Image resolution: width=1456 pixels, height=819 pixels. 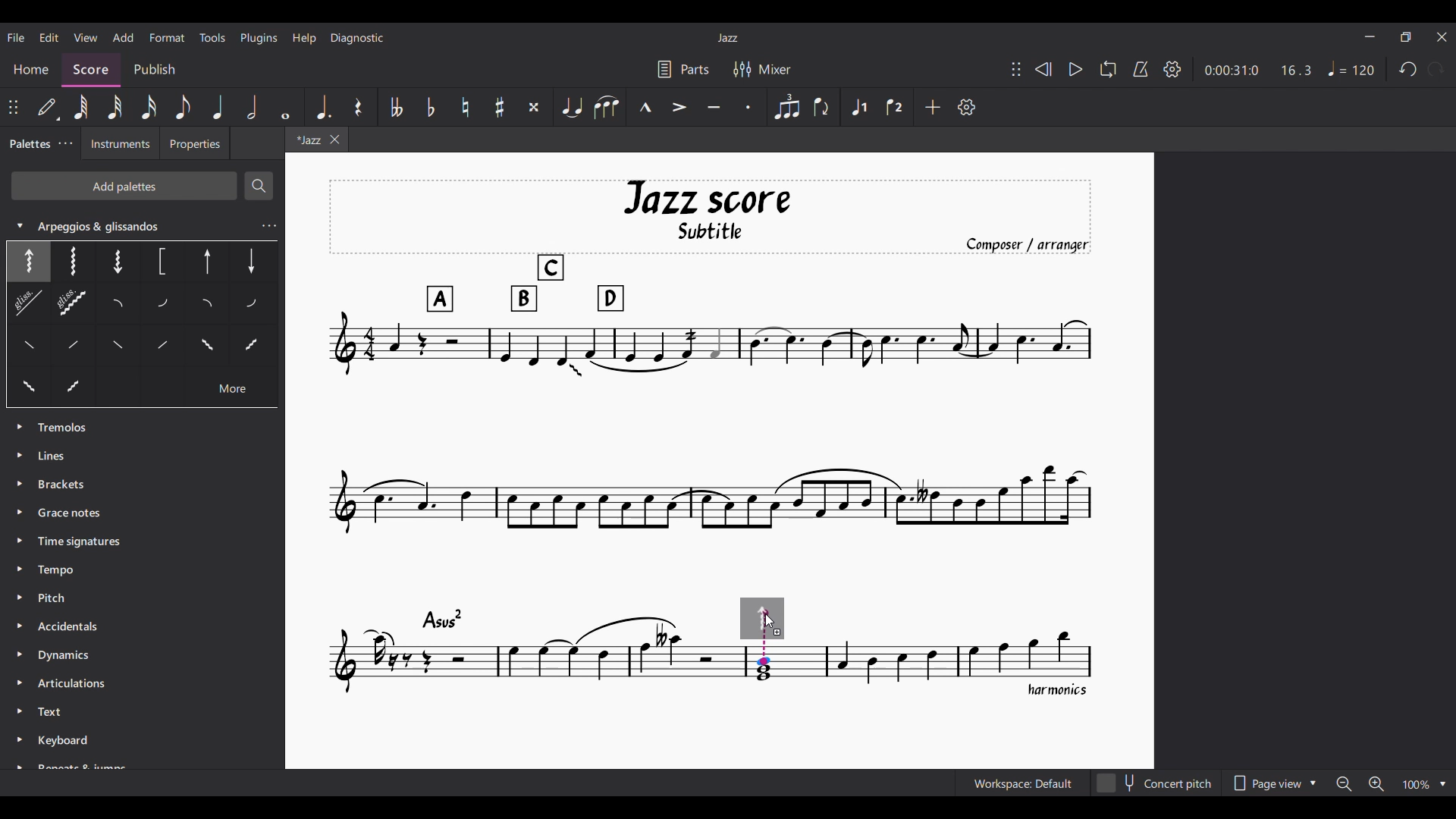 I want to click on Collapse, so click(x=20, y=225).